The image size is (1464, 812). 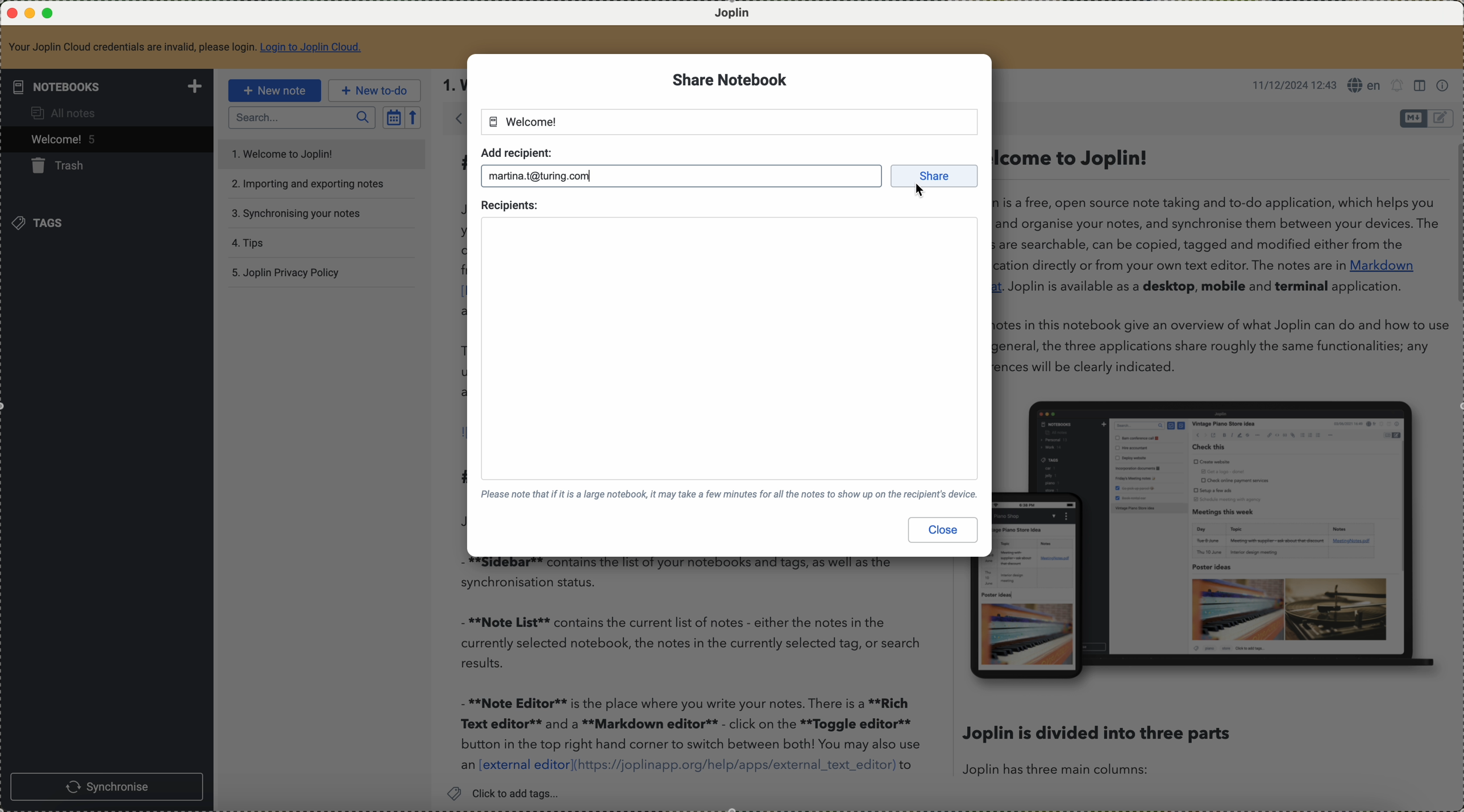 What do you see at coordinates (510, 204) in the screenshot?
I see `recipients` at bounding box center [510, 204].